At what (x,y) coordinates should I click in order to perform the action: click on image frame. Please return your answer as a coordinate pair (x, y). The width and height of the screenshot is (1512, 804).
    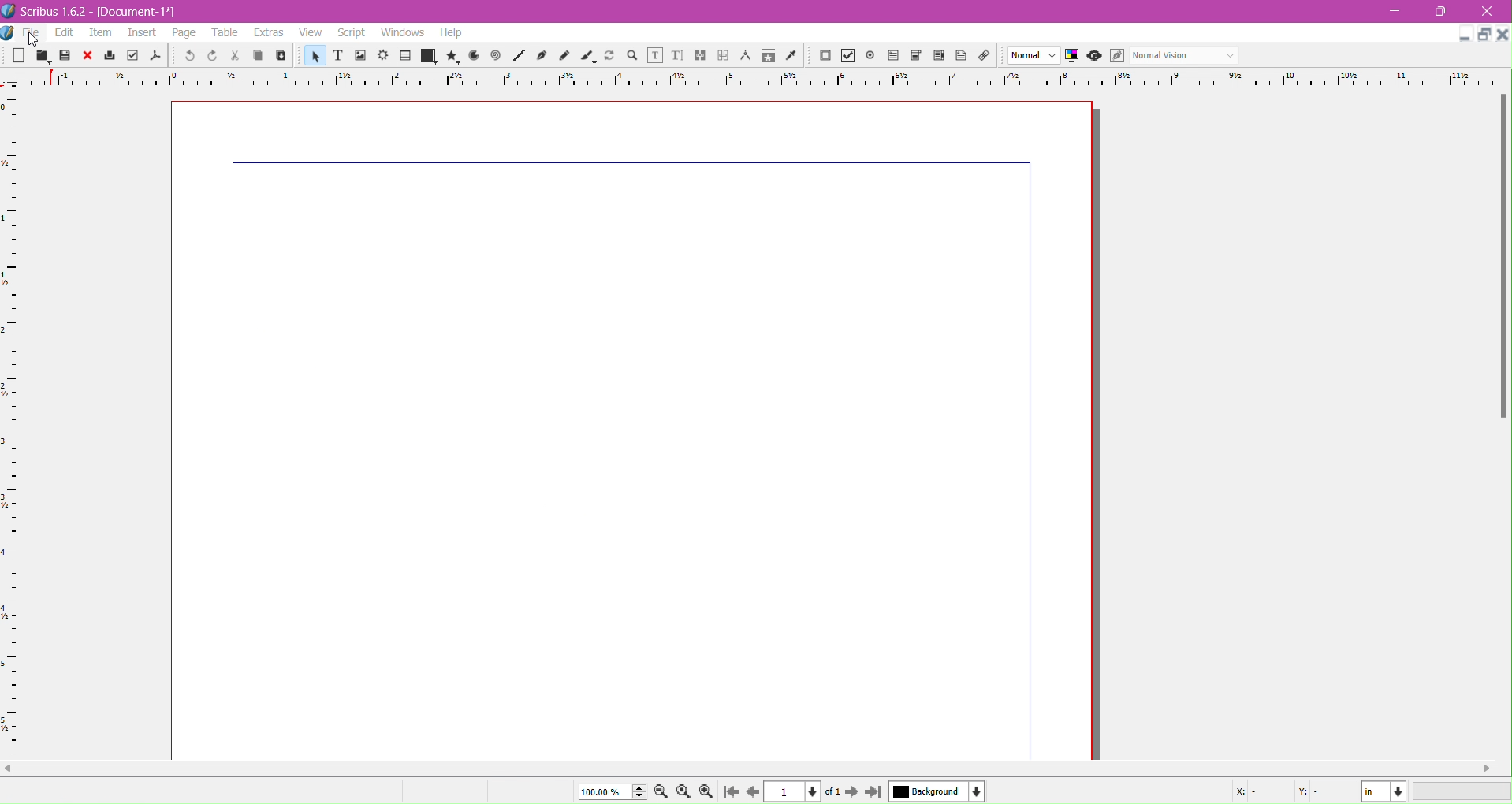
    Looking at the image, I should click on (359, 57).